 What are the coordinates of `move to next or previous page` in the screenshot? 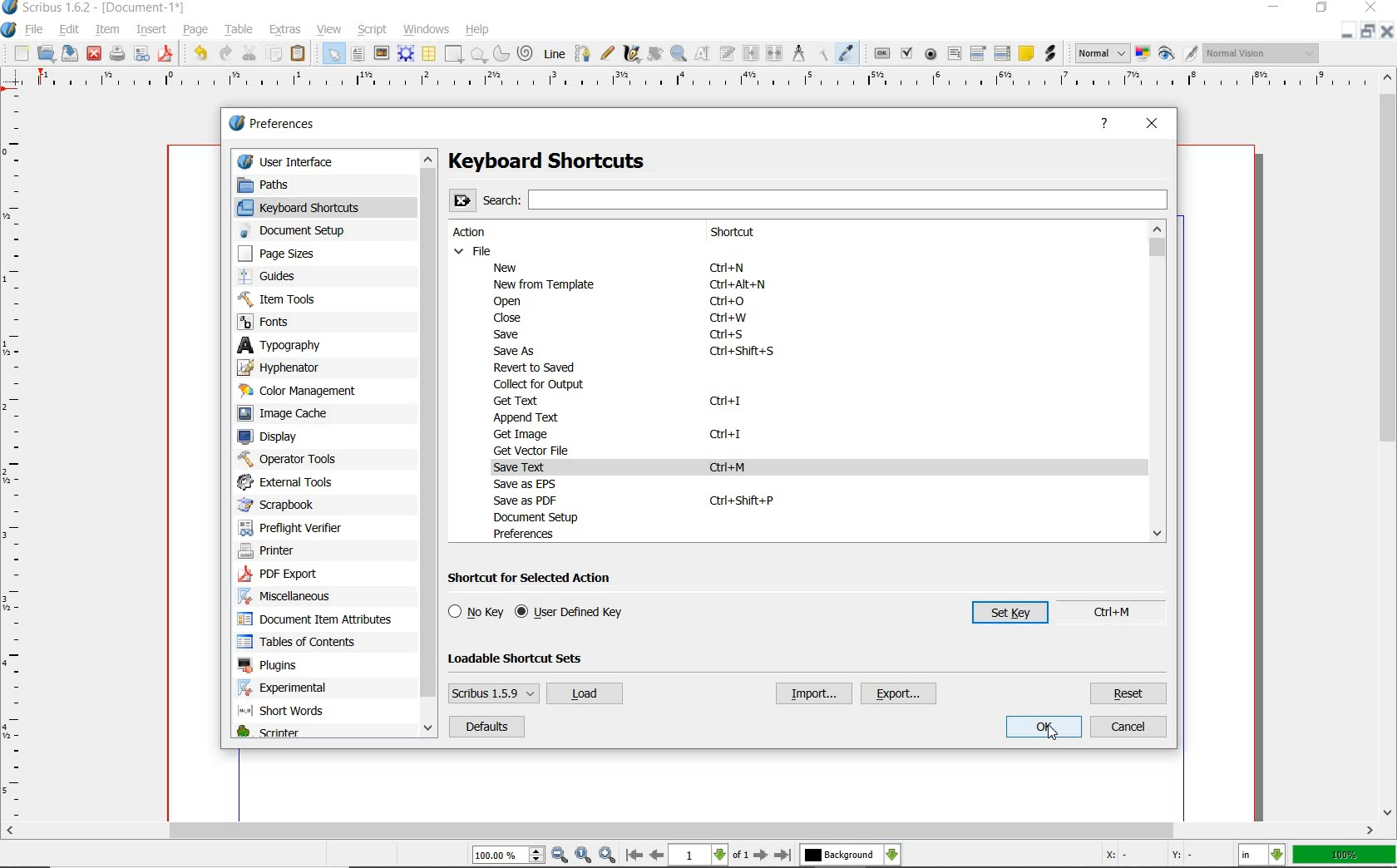 It's located at (708, 856).